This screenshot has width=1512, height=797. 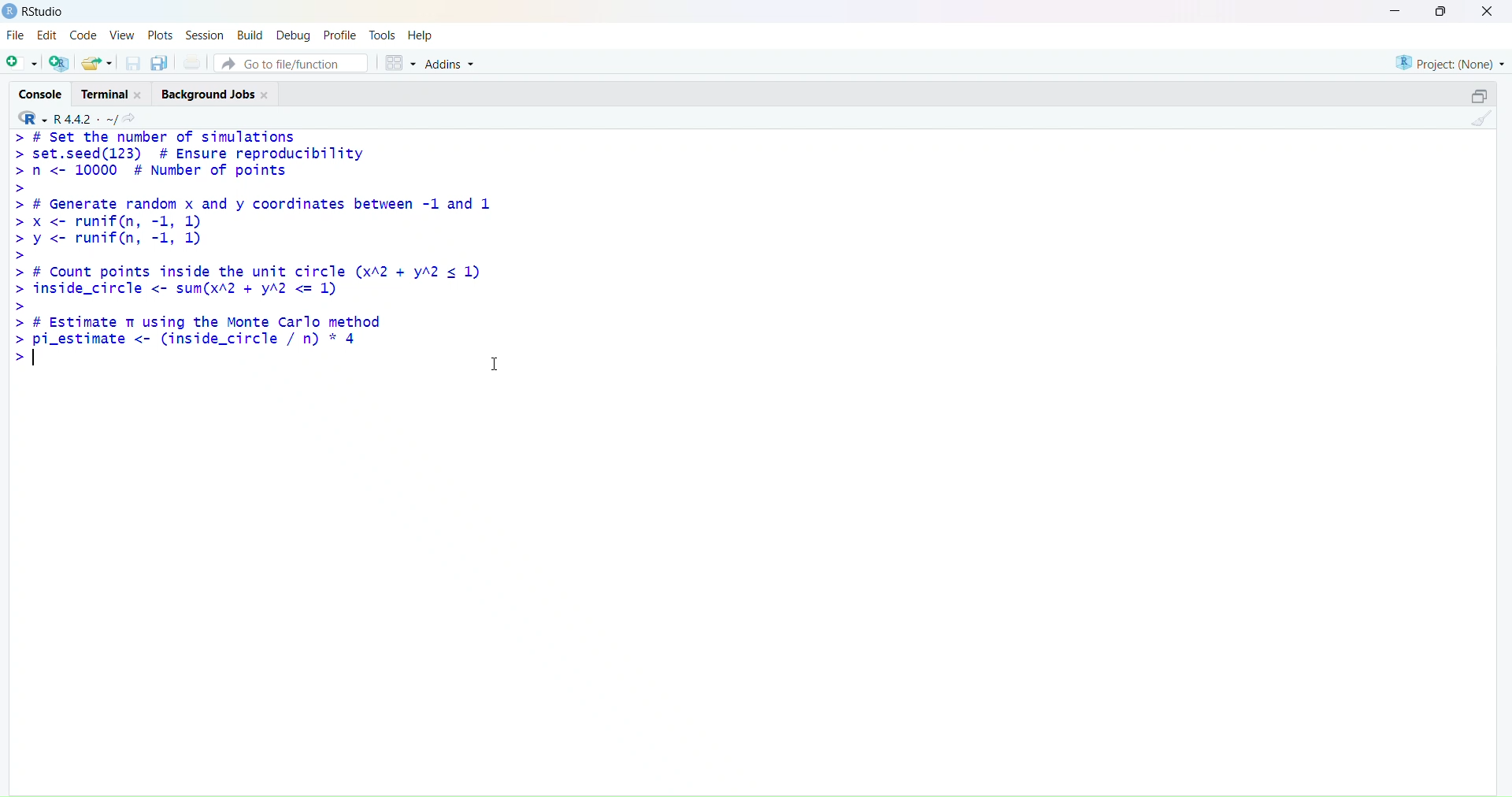 I want to click on Edit, so click(x=48, y=35).